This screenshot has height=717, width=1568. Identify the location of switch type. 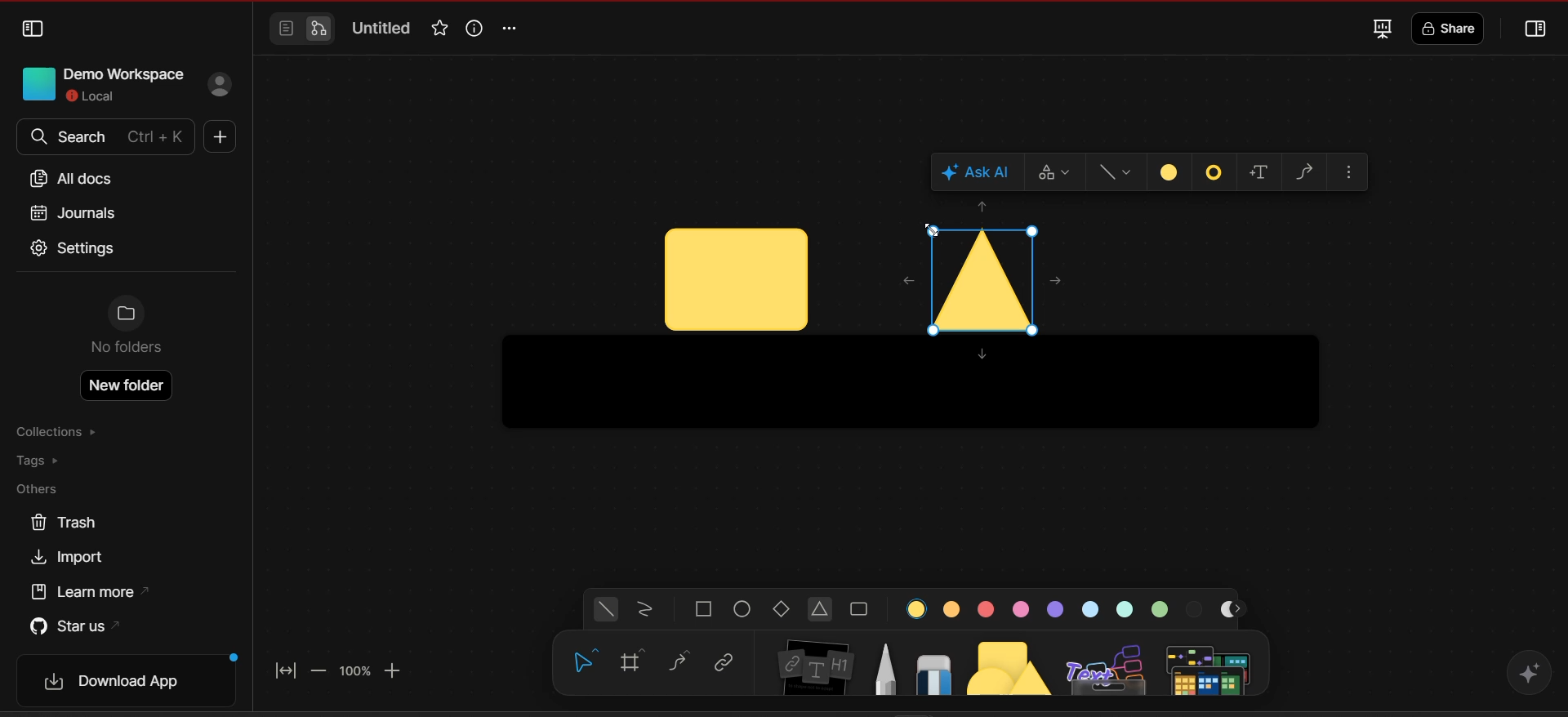
(1059, 172).